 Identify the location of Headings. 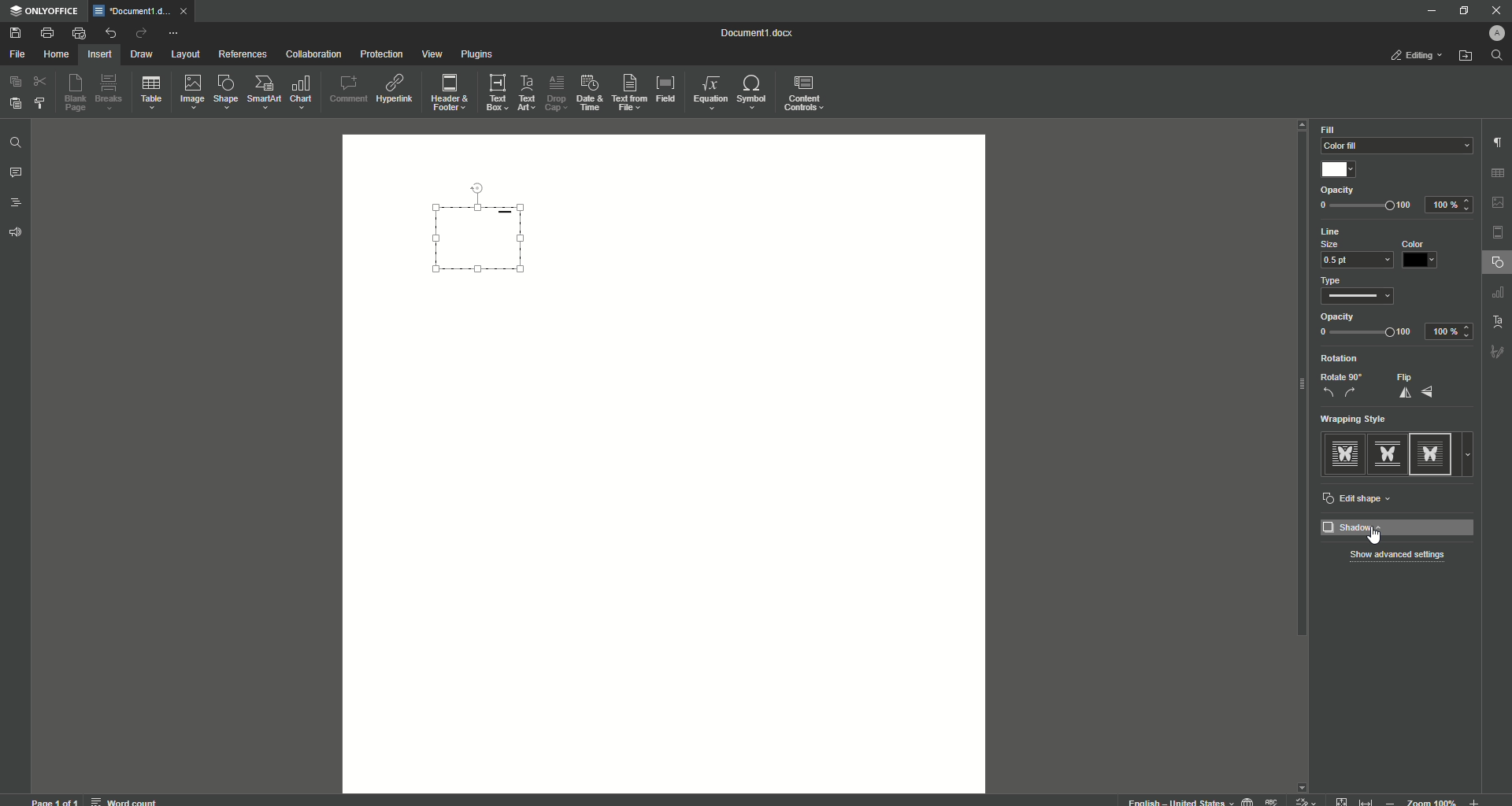
(17, 203).